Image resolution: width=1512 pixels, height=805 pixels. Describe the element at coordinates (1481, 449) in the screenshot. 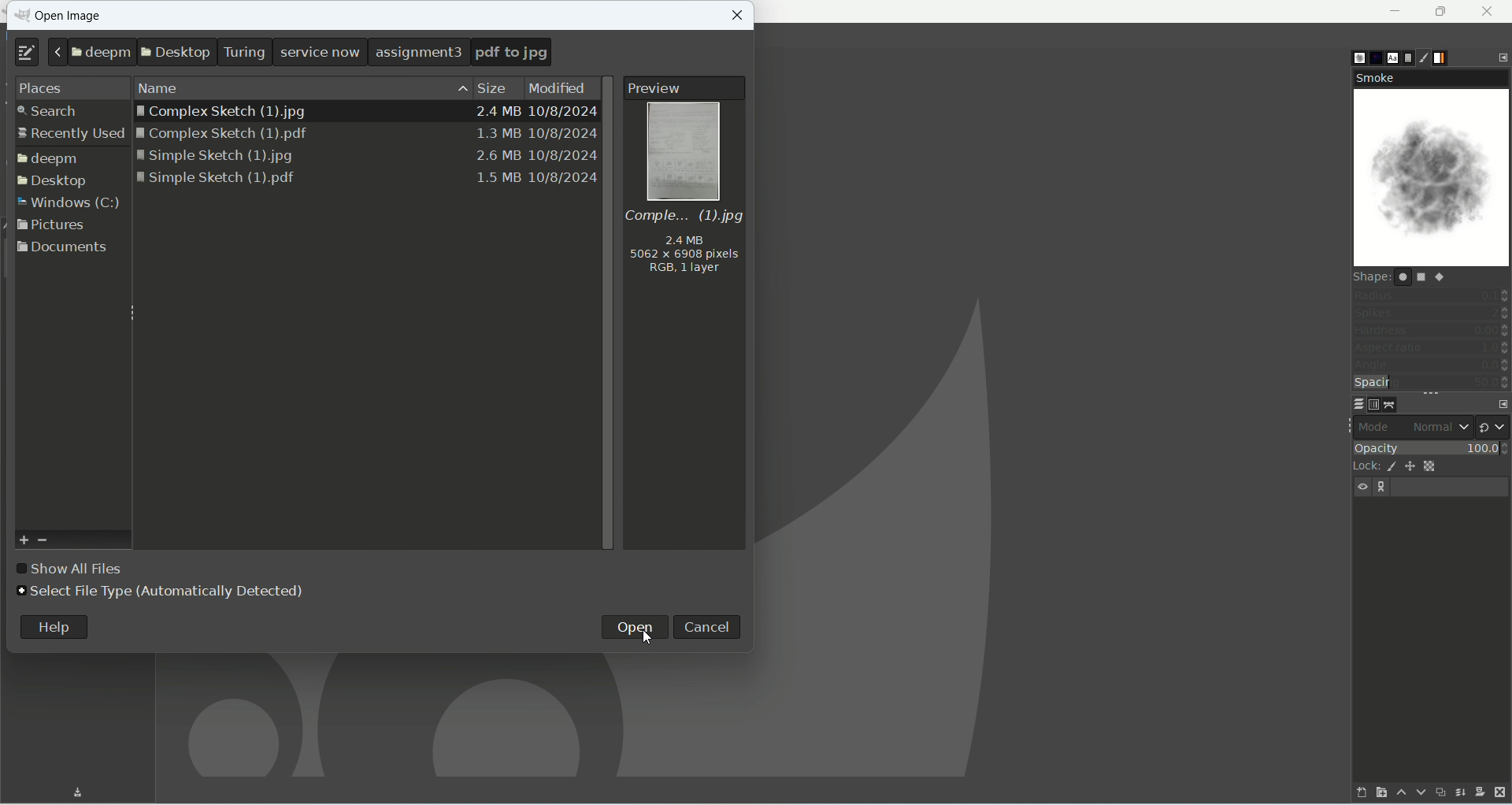

I see `100` at that location.